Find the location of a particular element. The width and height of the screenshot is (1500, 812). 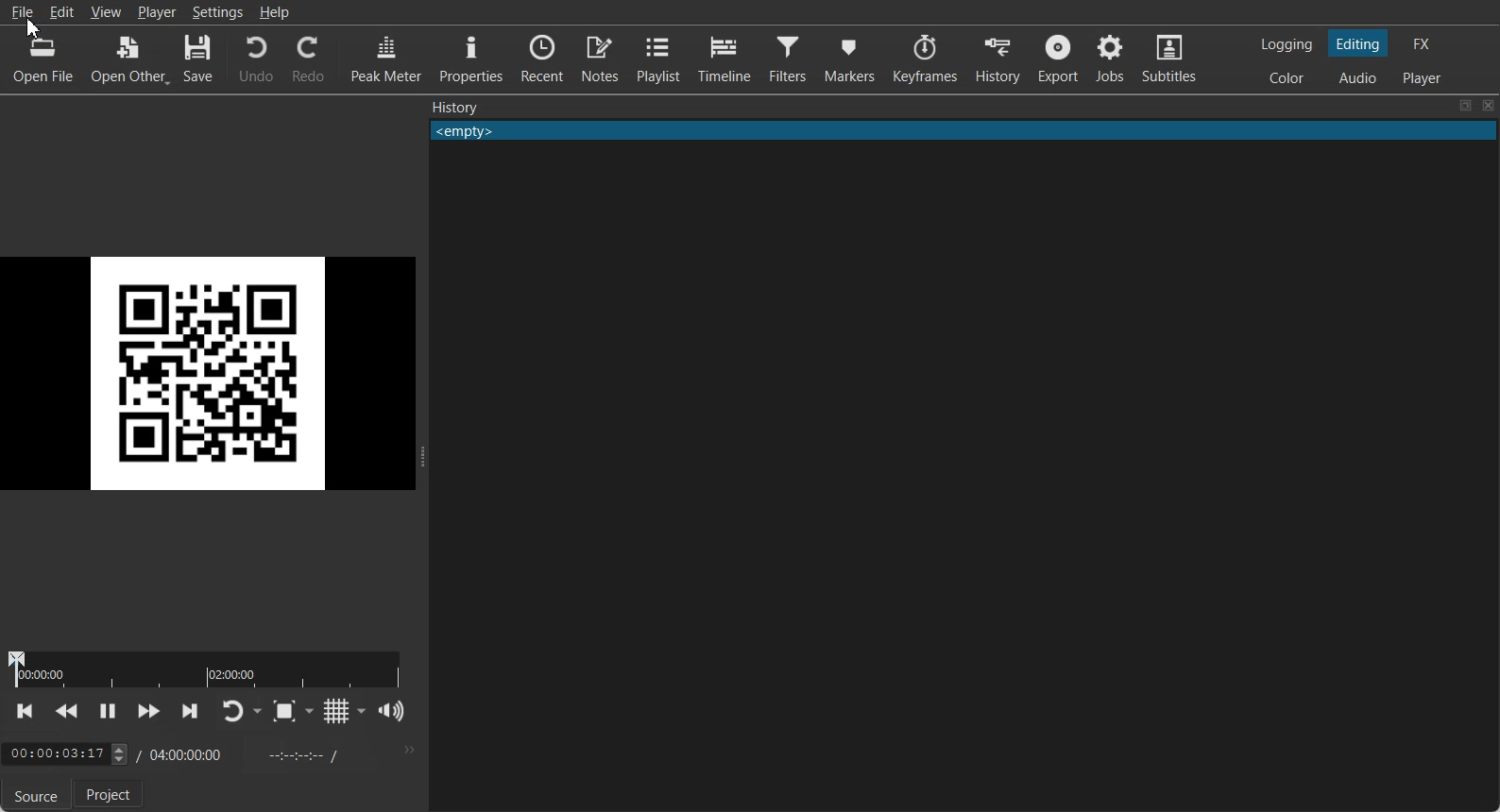

Drop down box is located at coordinates (310, 711).